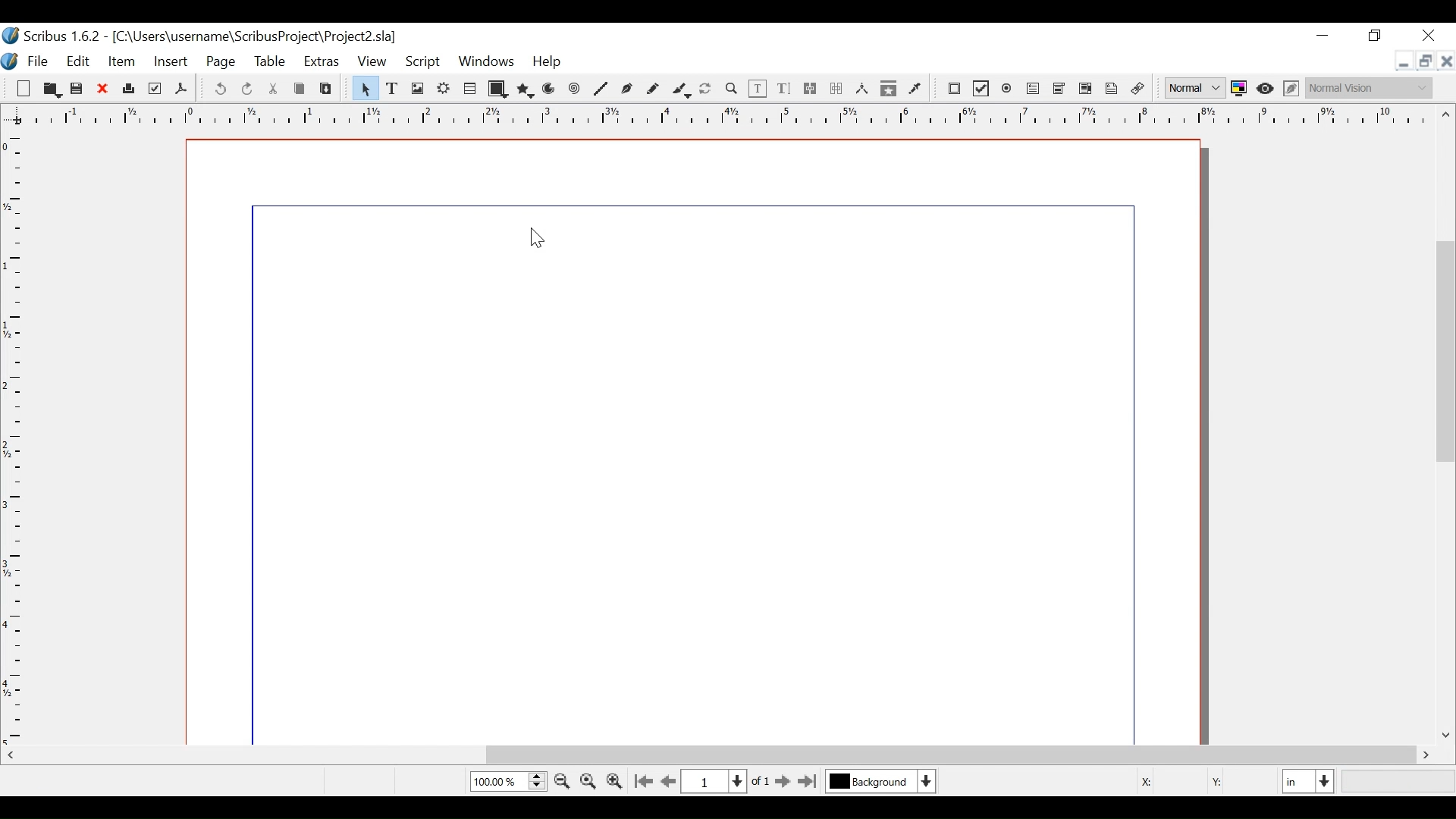  What do you see at coordinates (1322, 33) in the screenshot?
I see `minimize` at bounding box center [1322, 33].